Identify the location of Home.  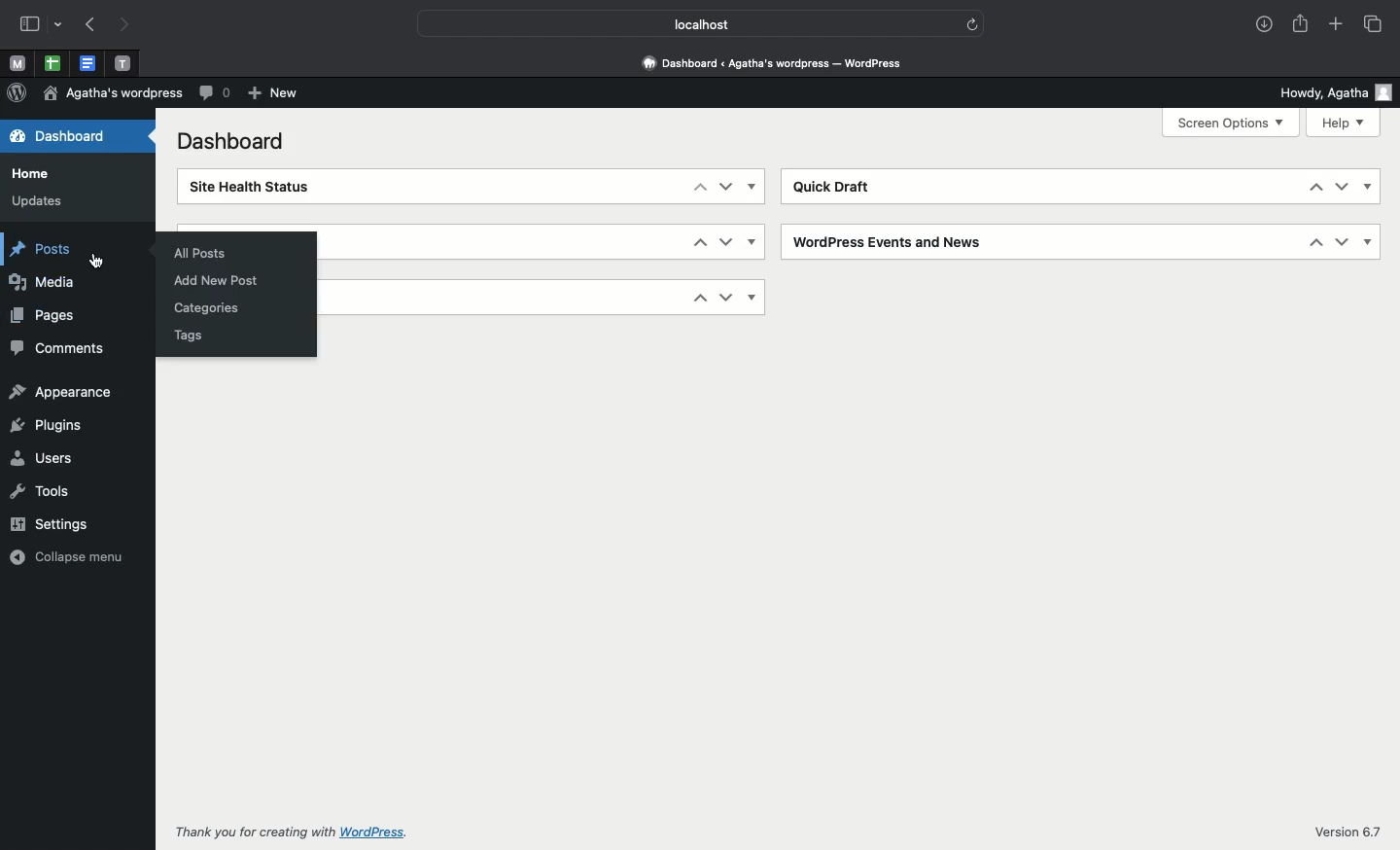
(36, 172).